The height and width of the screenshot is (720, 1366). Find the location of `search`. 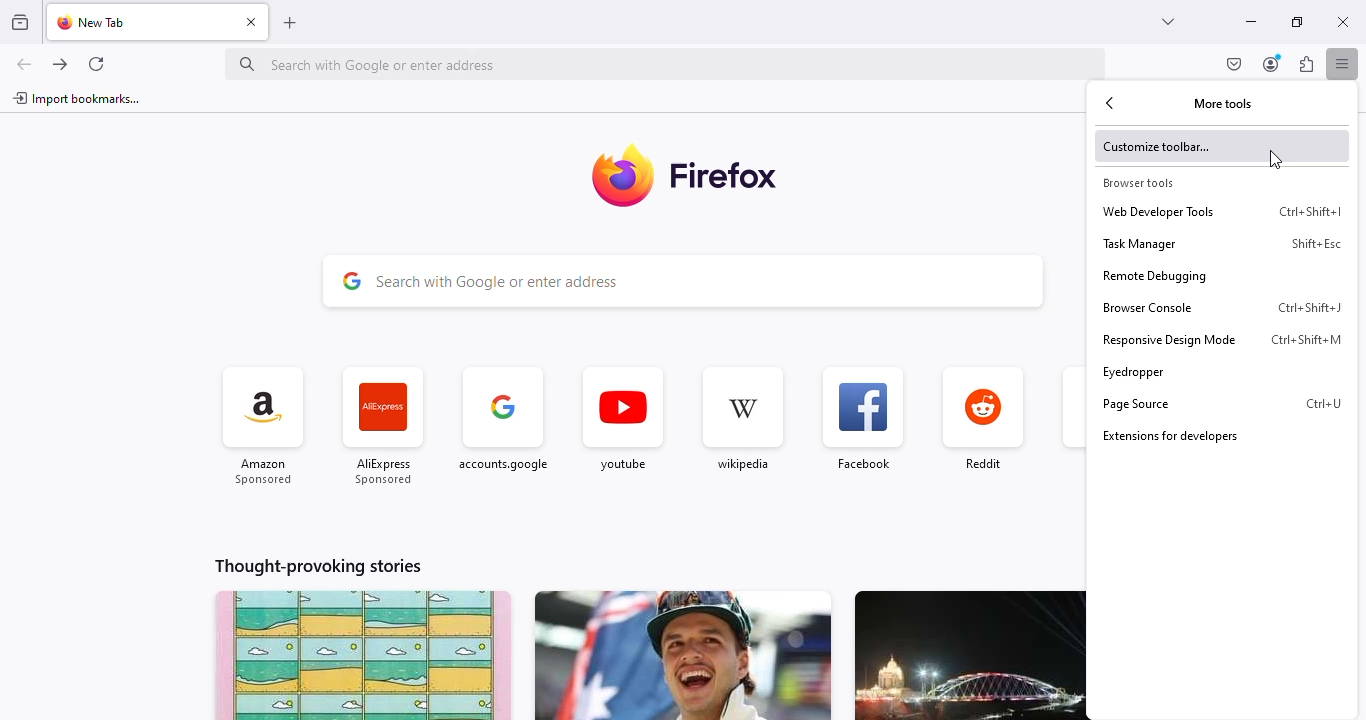

search is located at coordinates (683, 282).